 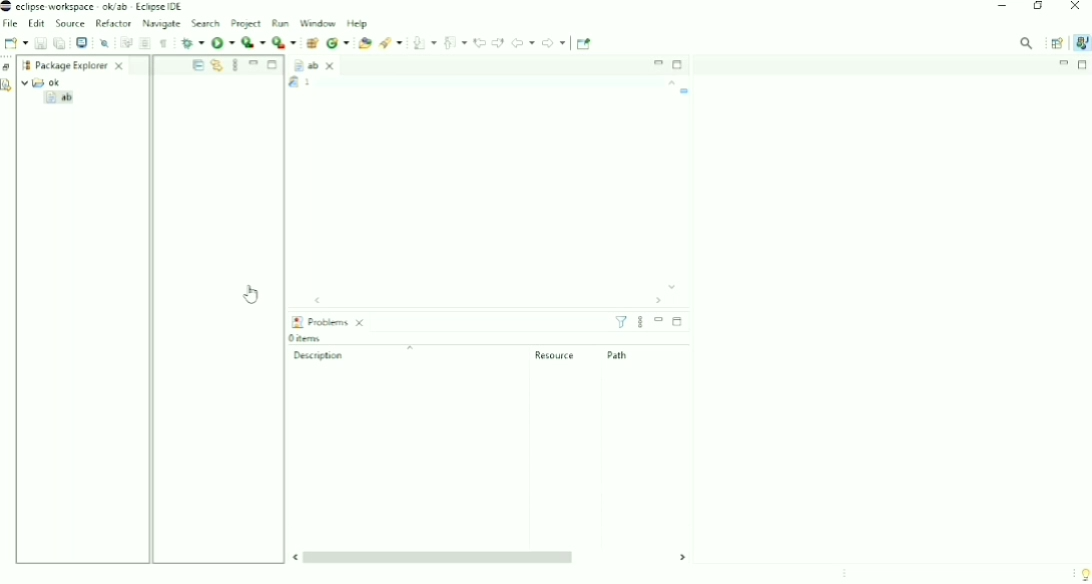 What do you see at coordinates (284, 42) in the screenshot?
I see `Run Last Tool` at bounding box center [284, 42].